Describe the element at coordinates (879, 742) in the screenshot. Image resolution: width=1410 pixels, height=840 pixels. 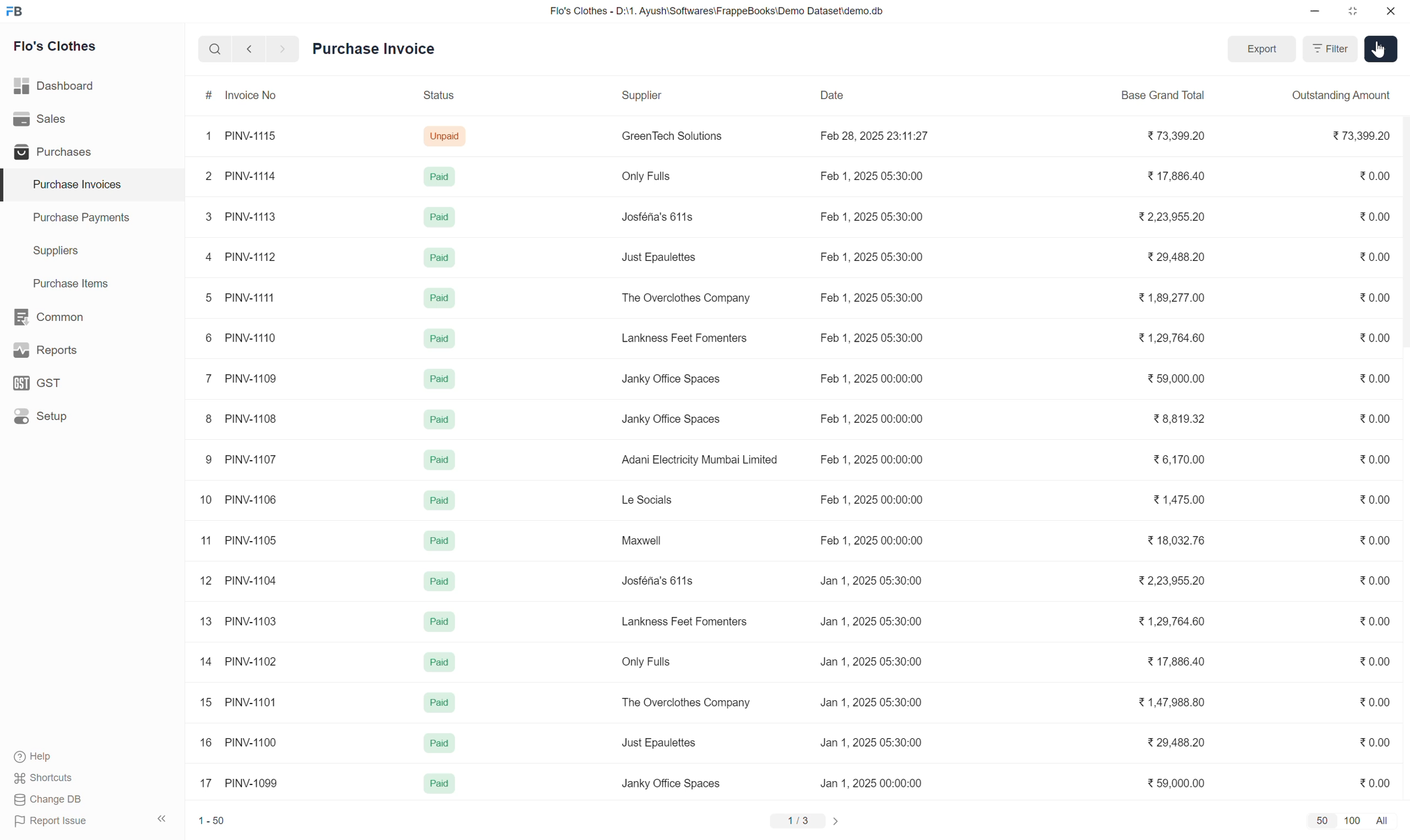
I see `Jan 1, 2025 05:30:00` at that location.